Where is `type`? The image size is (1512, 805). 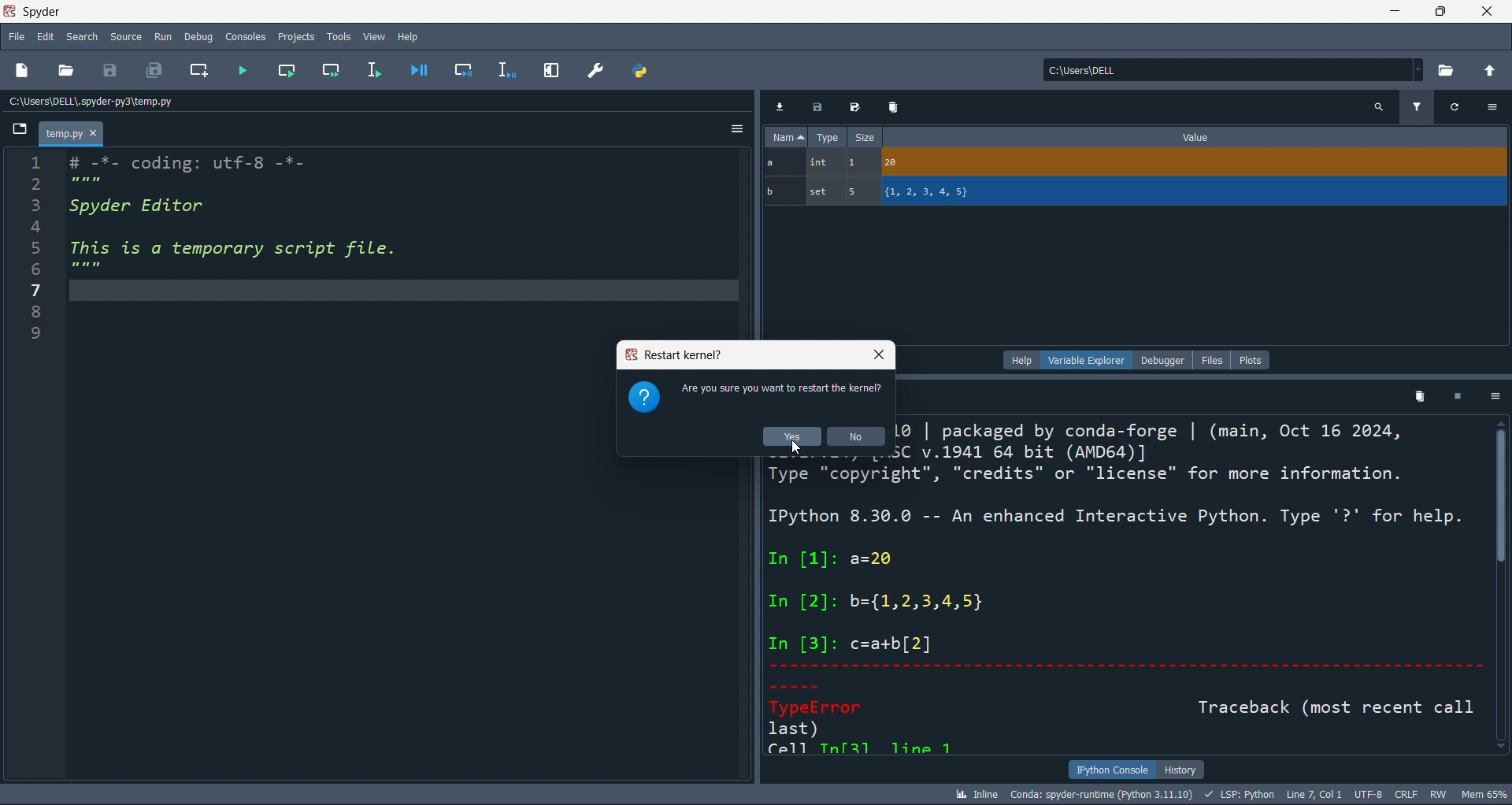
type is located at coordinates (830, 137).